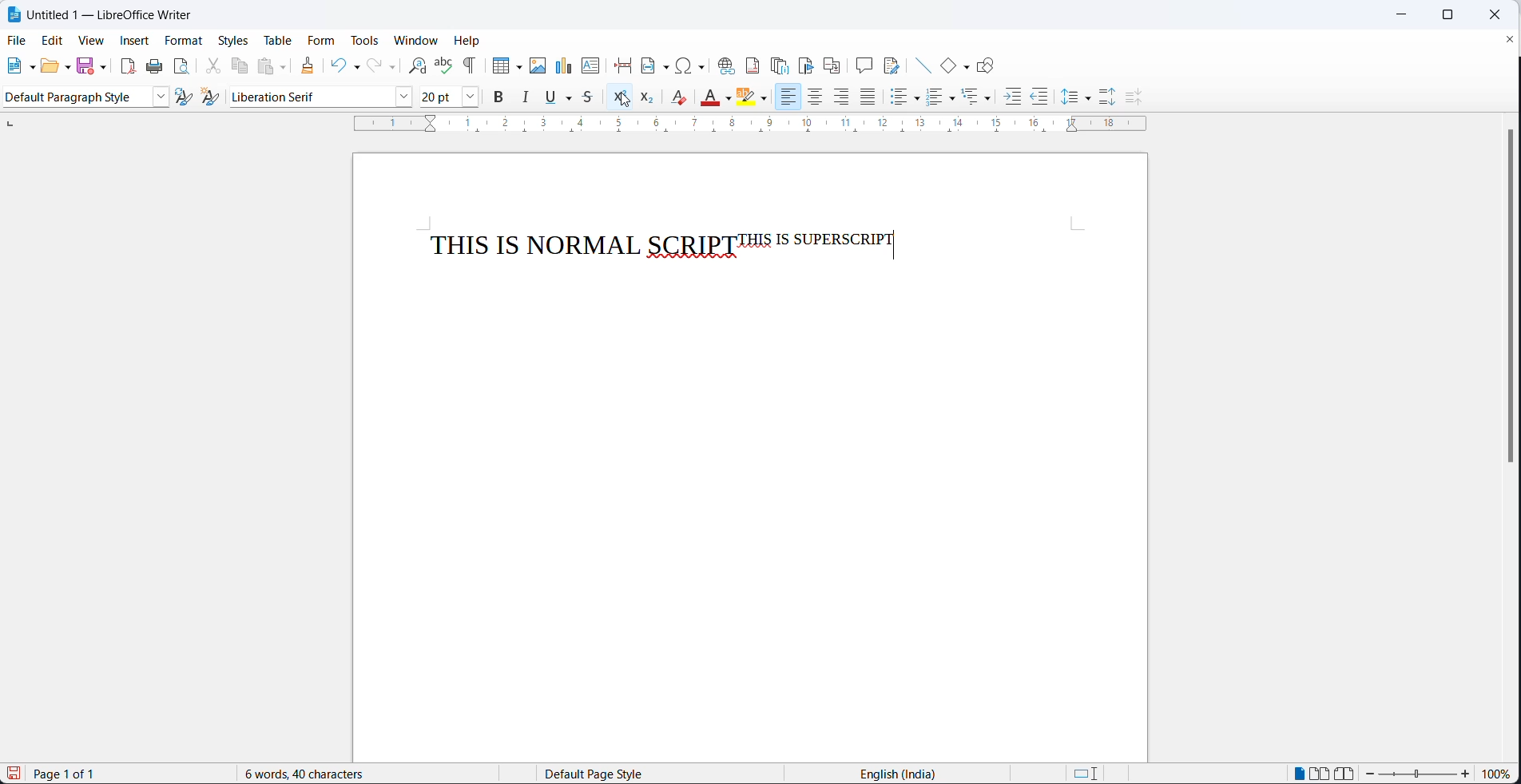 The image size is (1521, 784). What do you see at coordinates (471, 65) in the screenshot?
I see `toggle formatting marks` at bounding box center [471, 65].